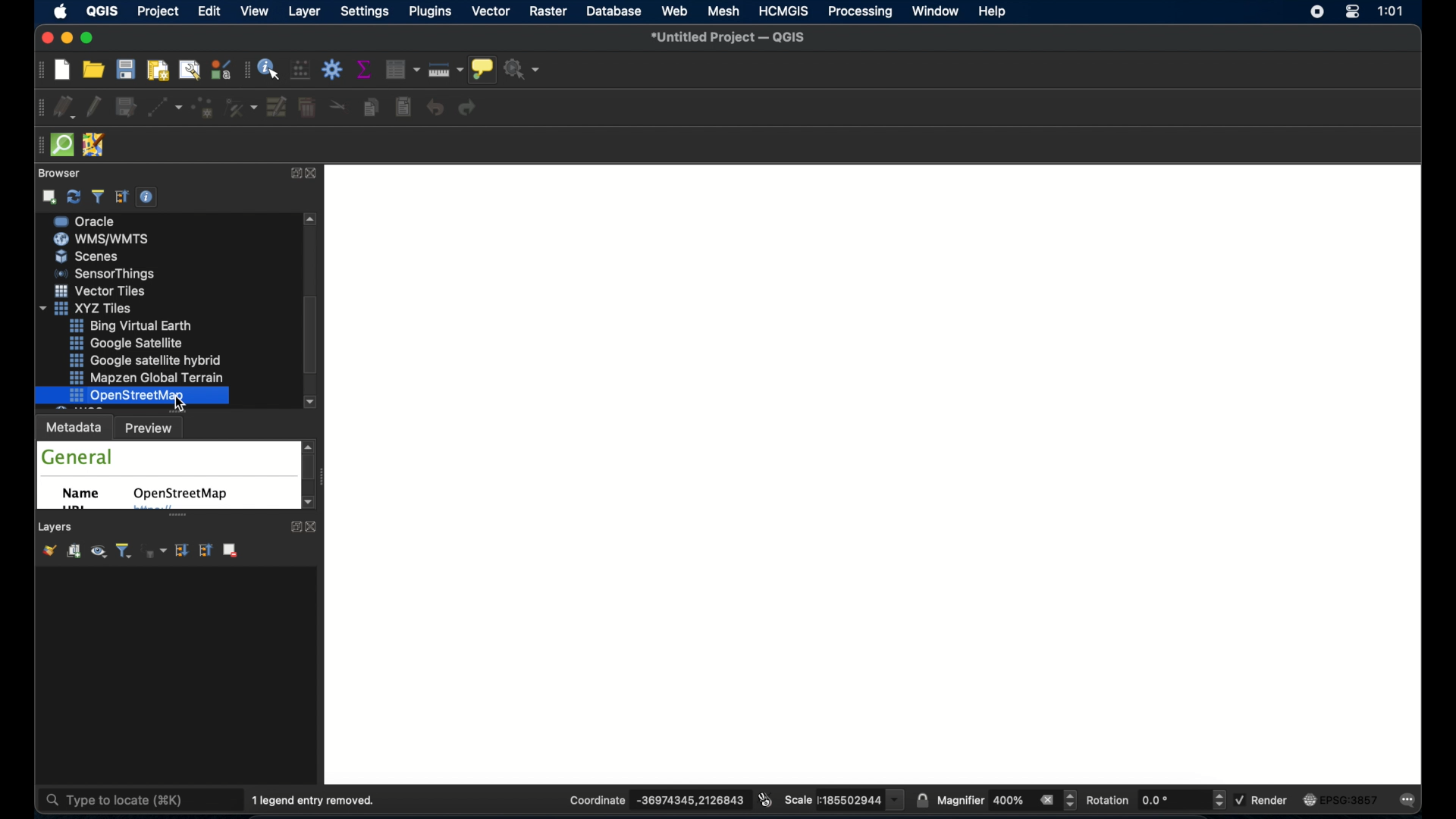 The image size is (1456, 819). What do you see at coordinates (724, 12) in the screenshot?
I see `mesh` at bounding box center [724, 12].